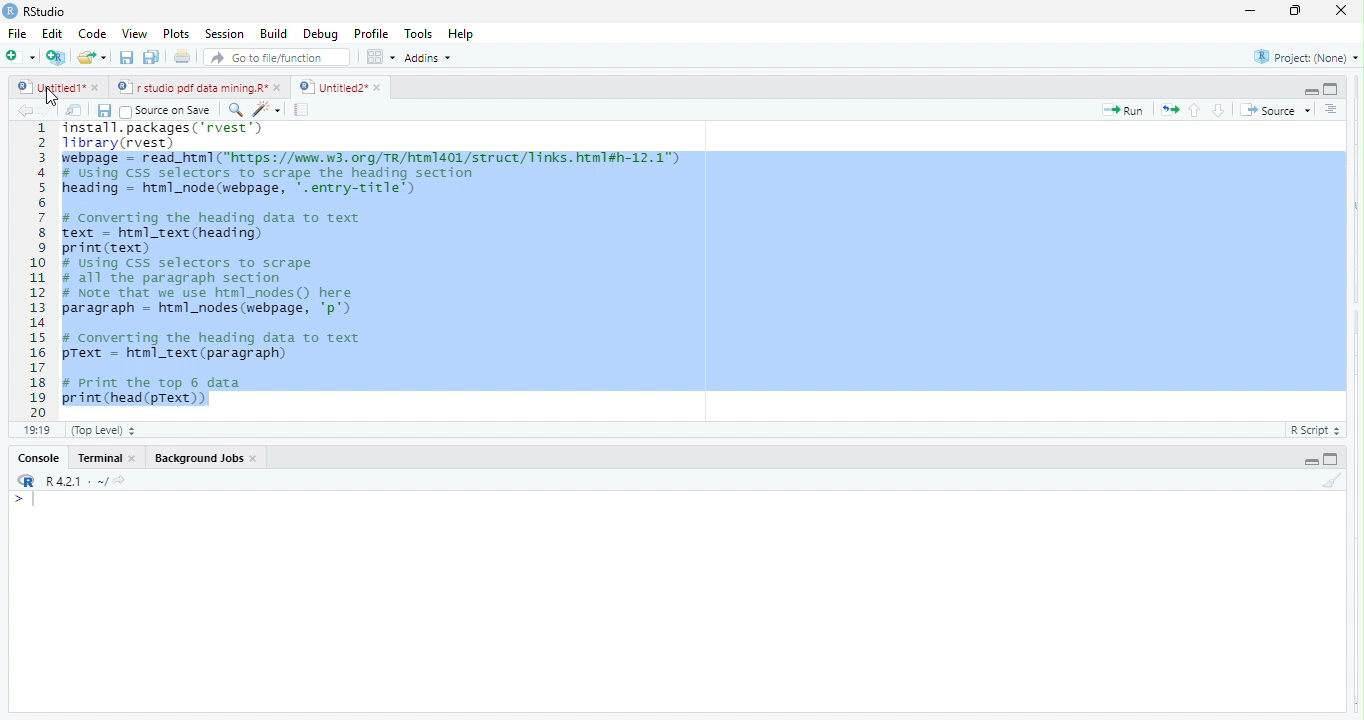  Describe the element at coordinates (1172, 110) in the screenshot. I see `re run the previous code` at that location.